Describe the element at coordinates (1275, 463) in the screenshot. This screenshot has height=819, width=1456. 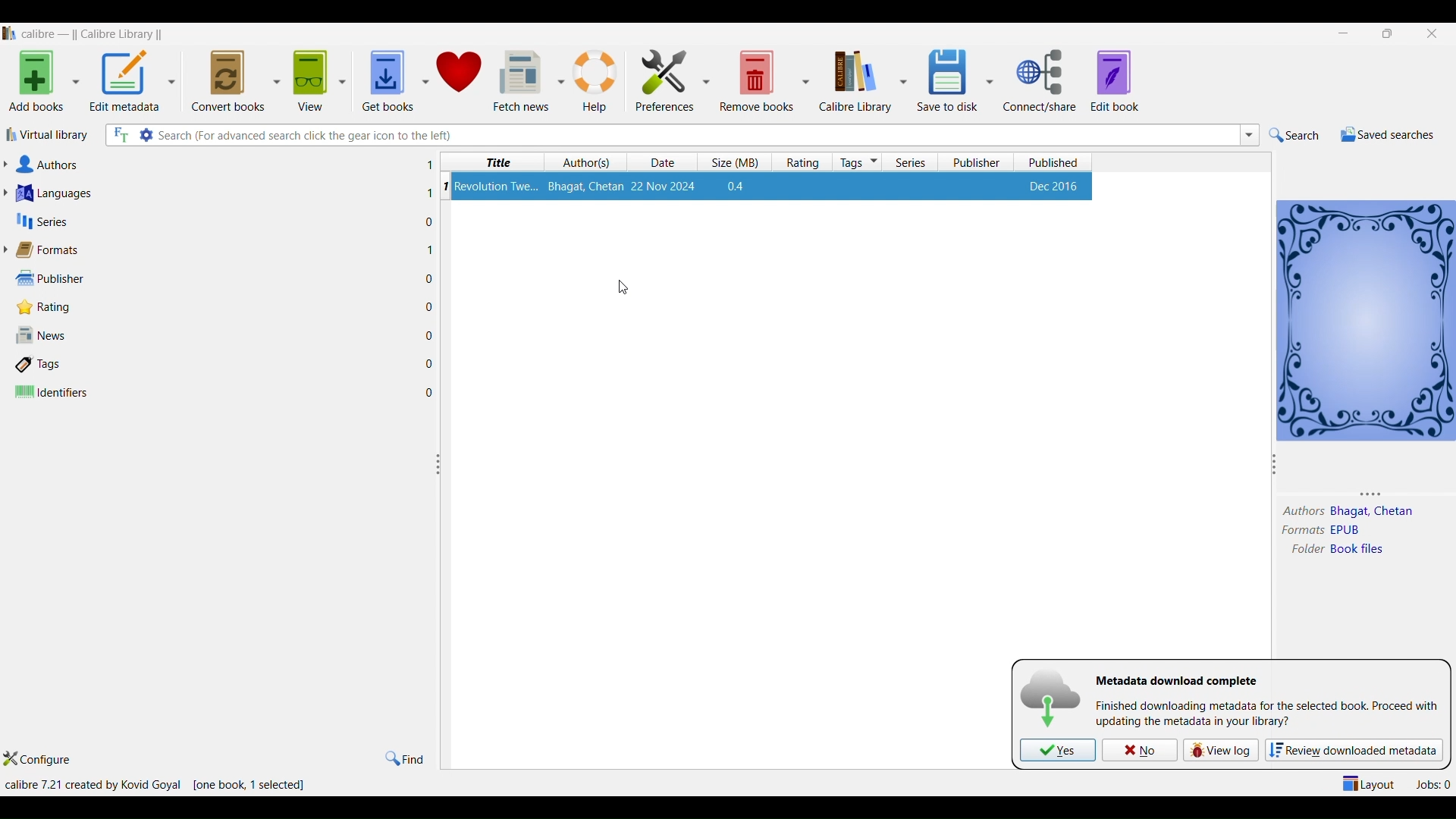
I see `resize` at that location.